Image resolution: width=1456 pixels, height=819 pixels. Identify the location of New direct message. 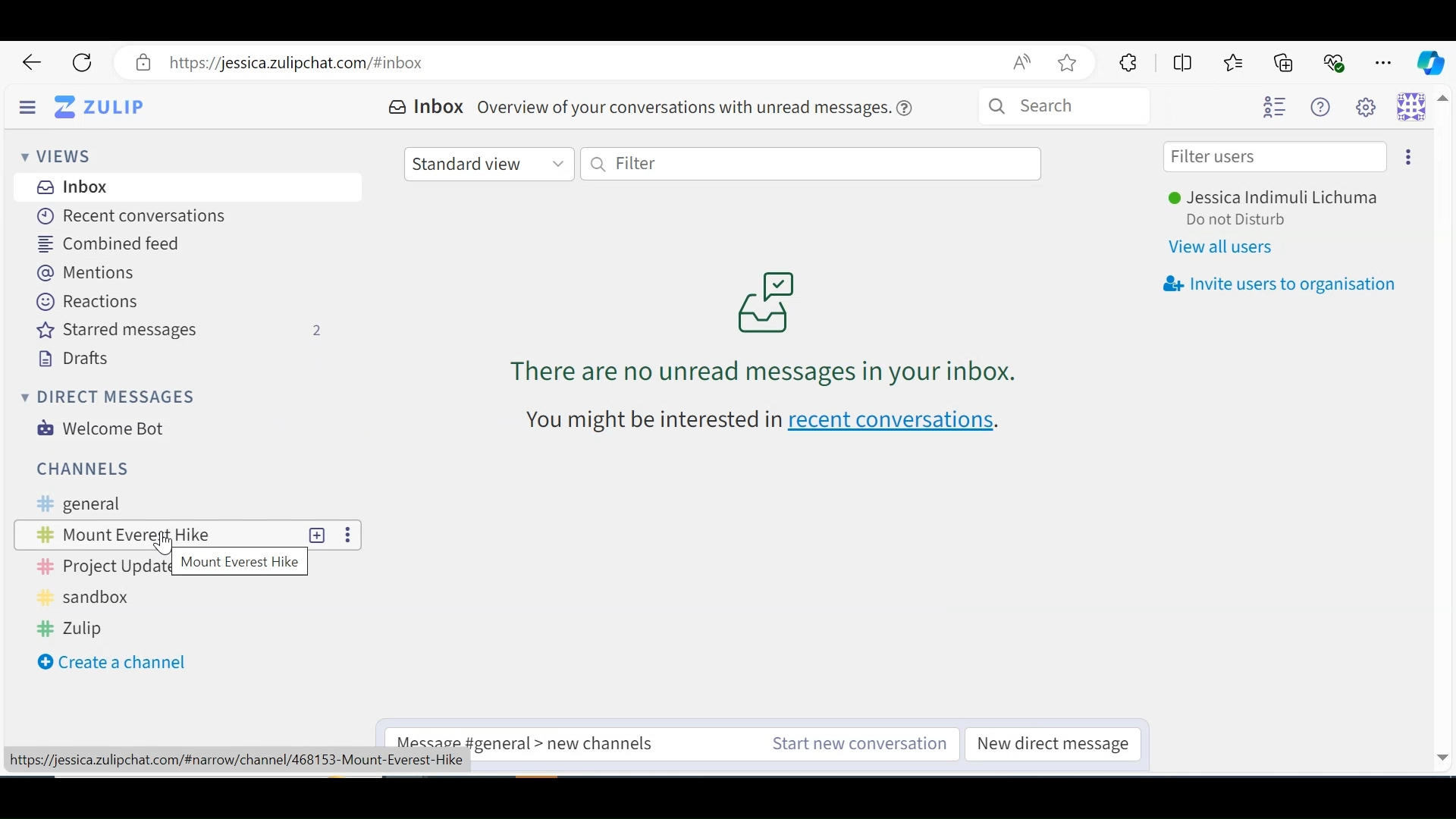
(1052, 745).